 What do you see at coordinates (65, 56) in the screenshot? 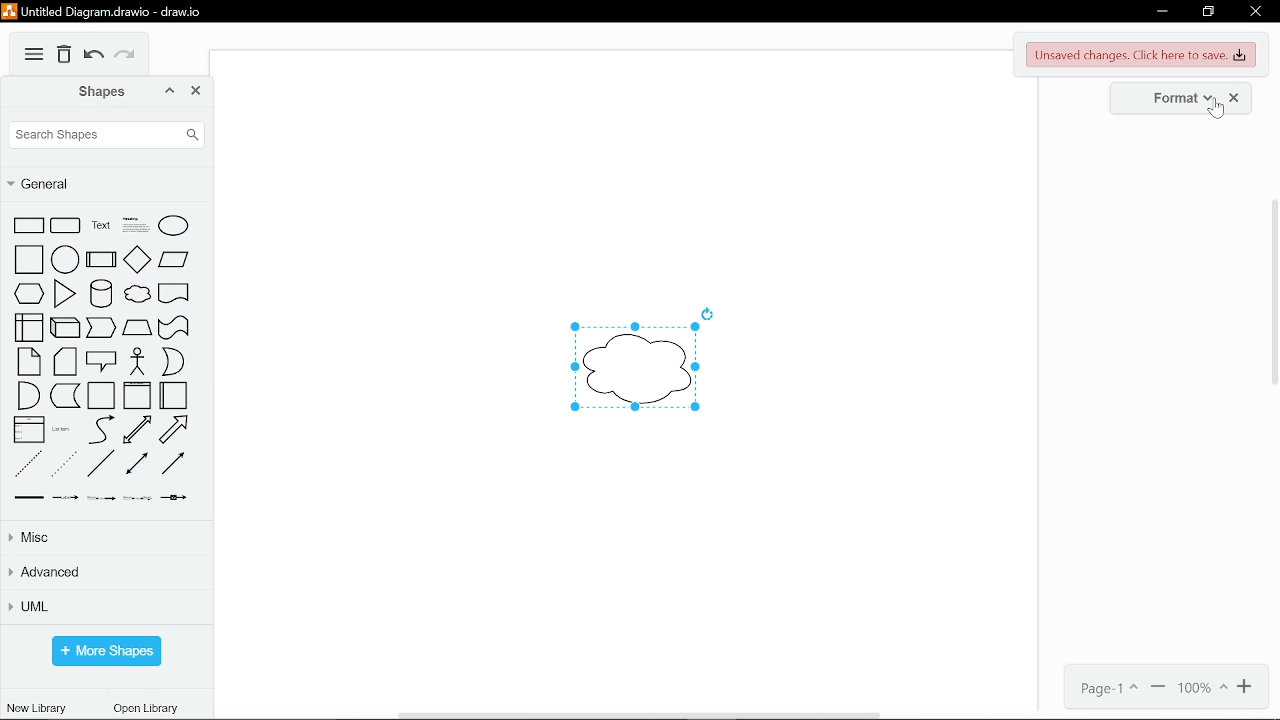
I see `delete` at bounding box center [65, 56].